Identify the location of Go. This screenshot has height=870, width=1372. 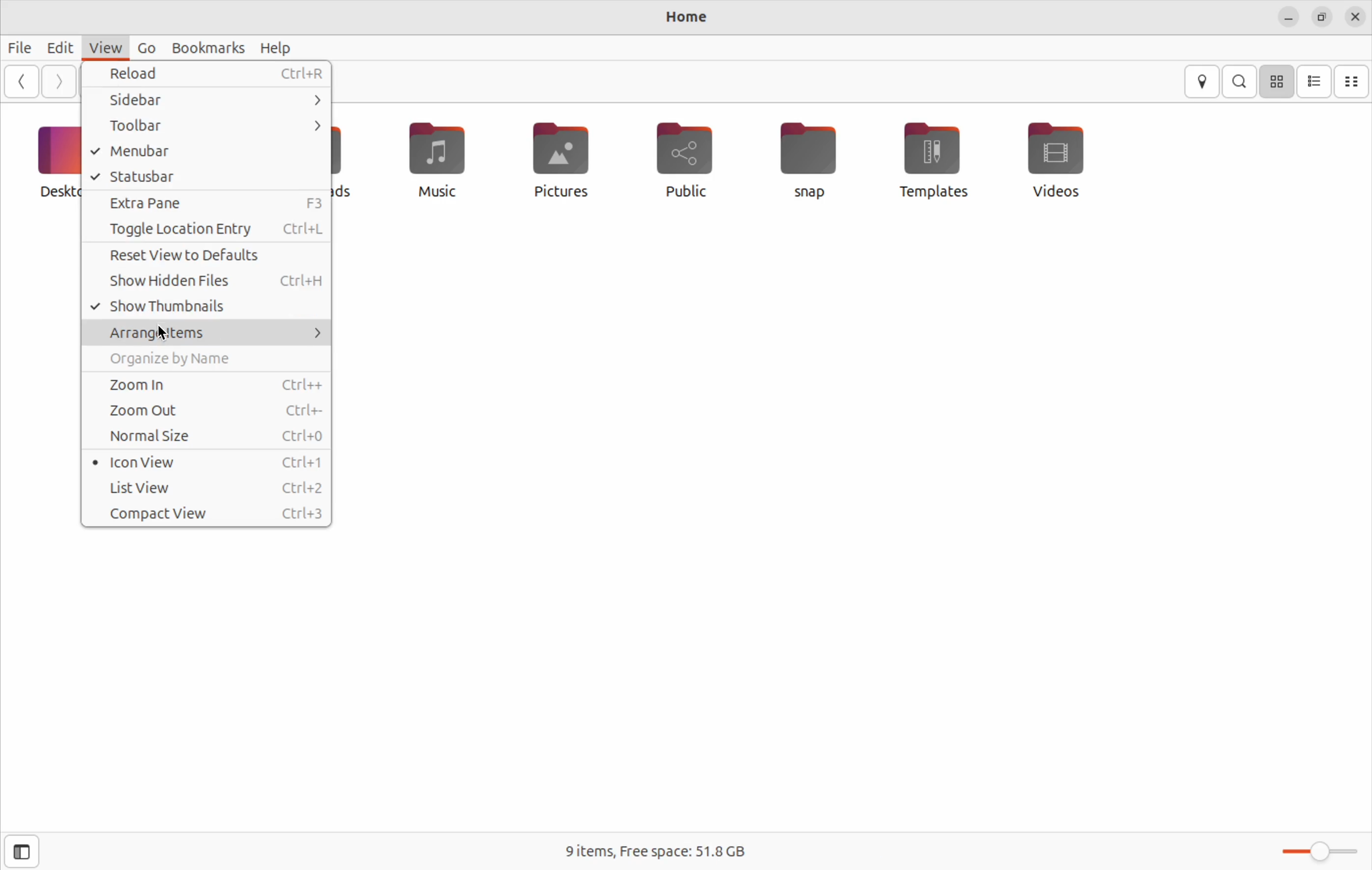
(145, 47).